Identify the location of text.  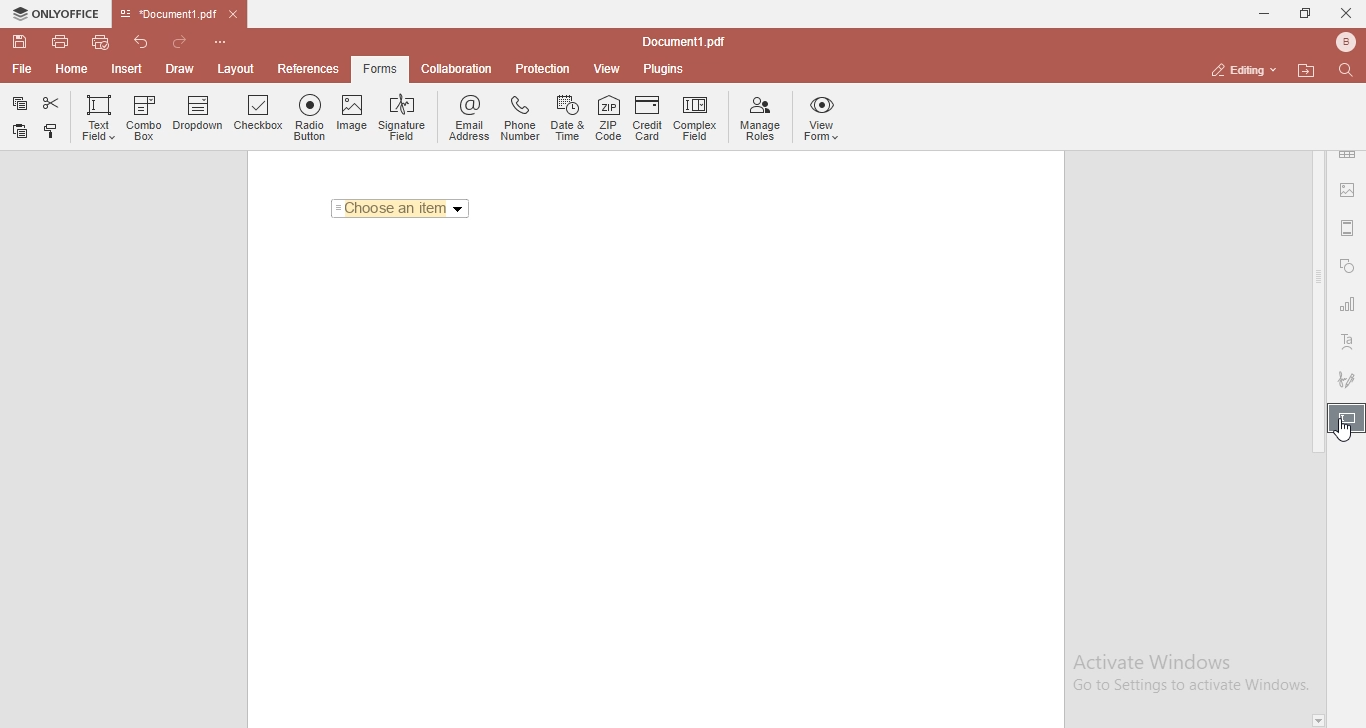
(1348, 343).